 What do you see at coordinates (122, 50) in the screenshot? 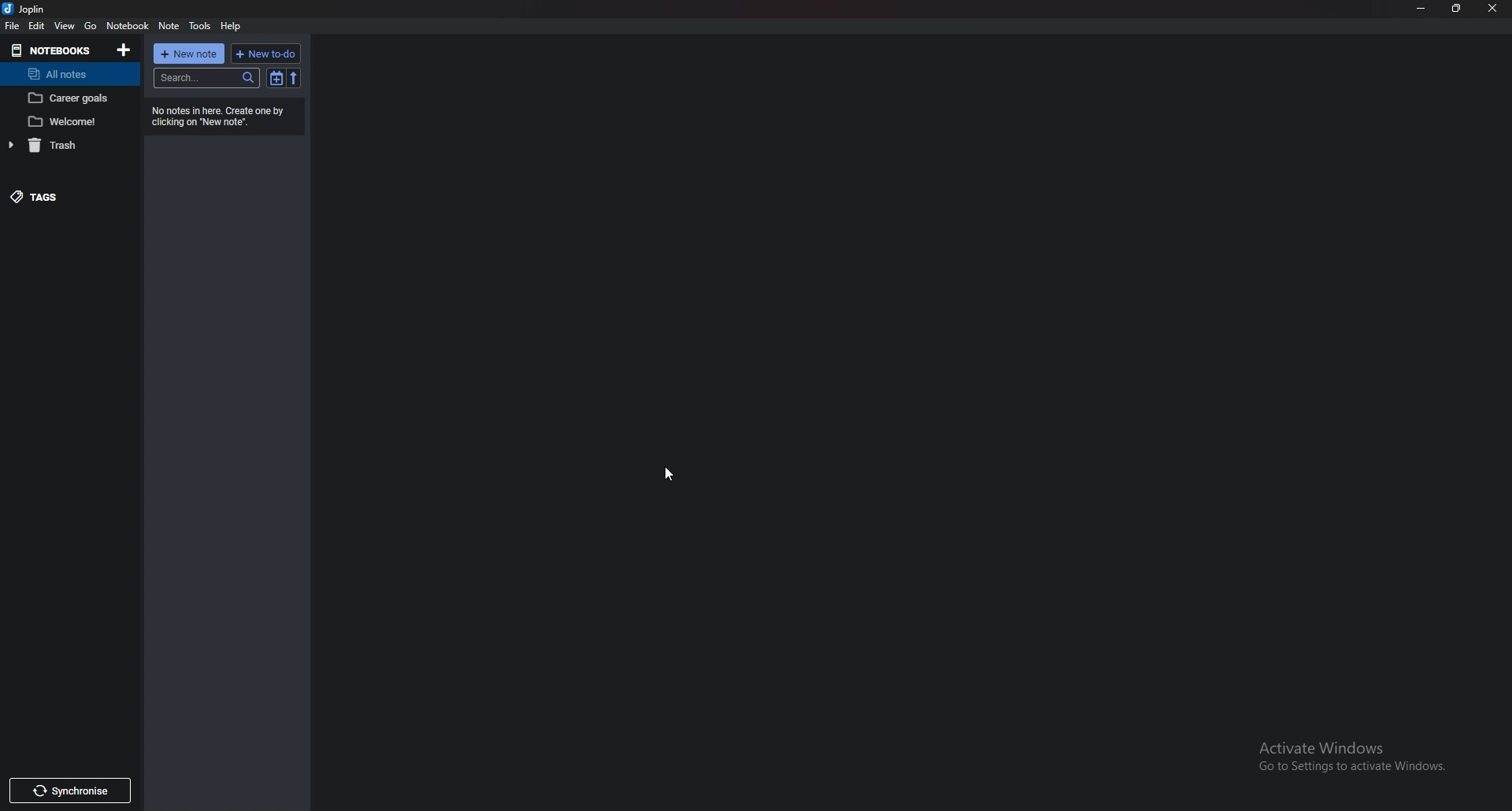
I see `add notebook` at bounding box center [122, 50].